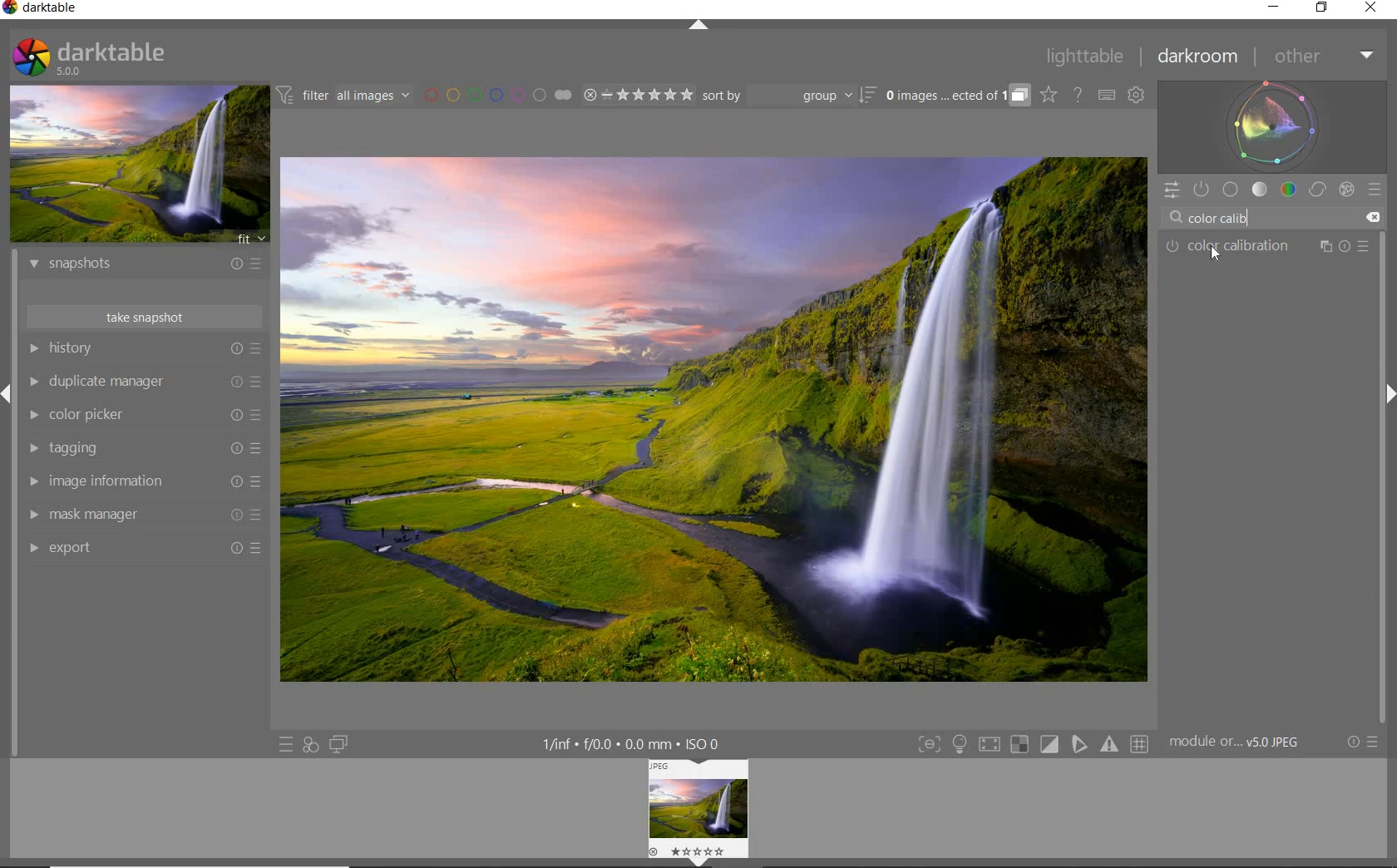  Describe the element at coordinates (285, 743) in the screenshot. I see `QUICK ACCESS TO PRESET` at that location.